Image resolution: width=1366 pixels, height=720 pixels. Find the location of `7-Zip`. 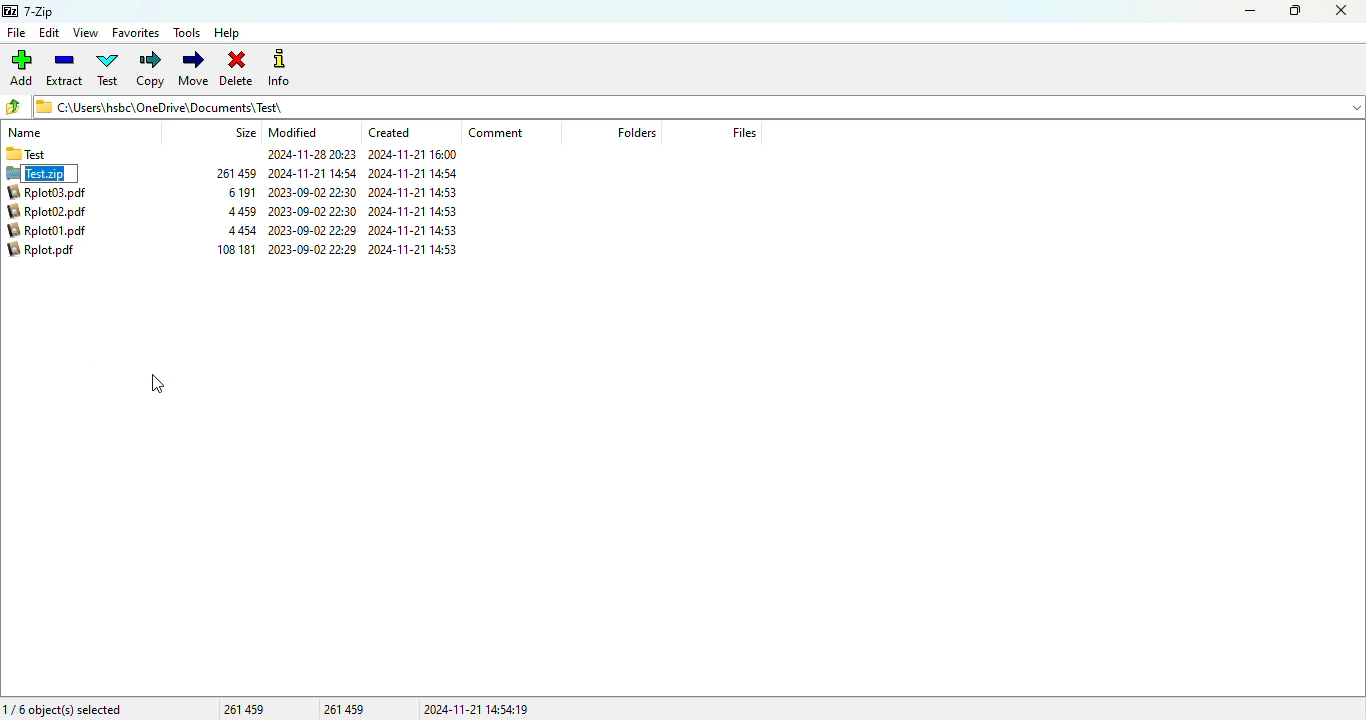

7-Zip is located at coordinates (29, 12).